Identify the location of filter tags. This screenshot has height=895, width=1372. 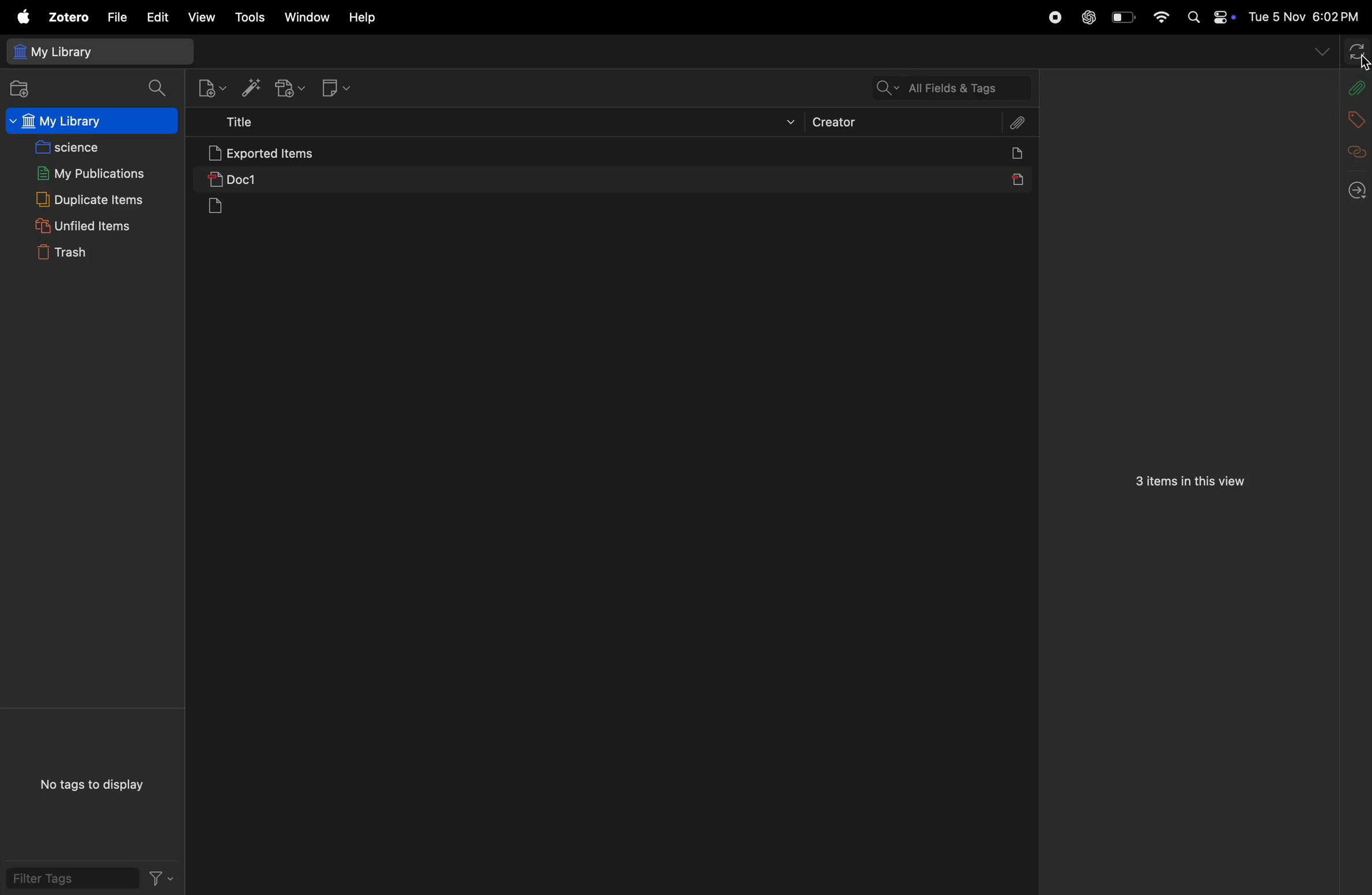
(66, 882).